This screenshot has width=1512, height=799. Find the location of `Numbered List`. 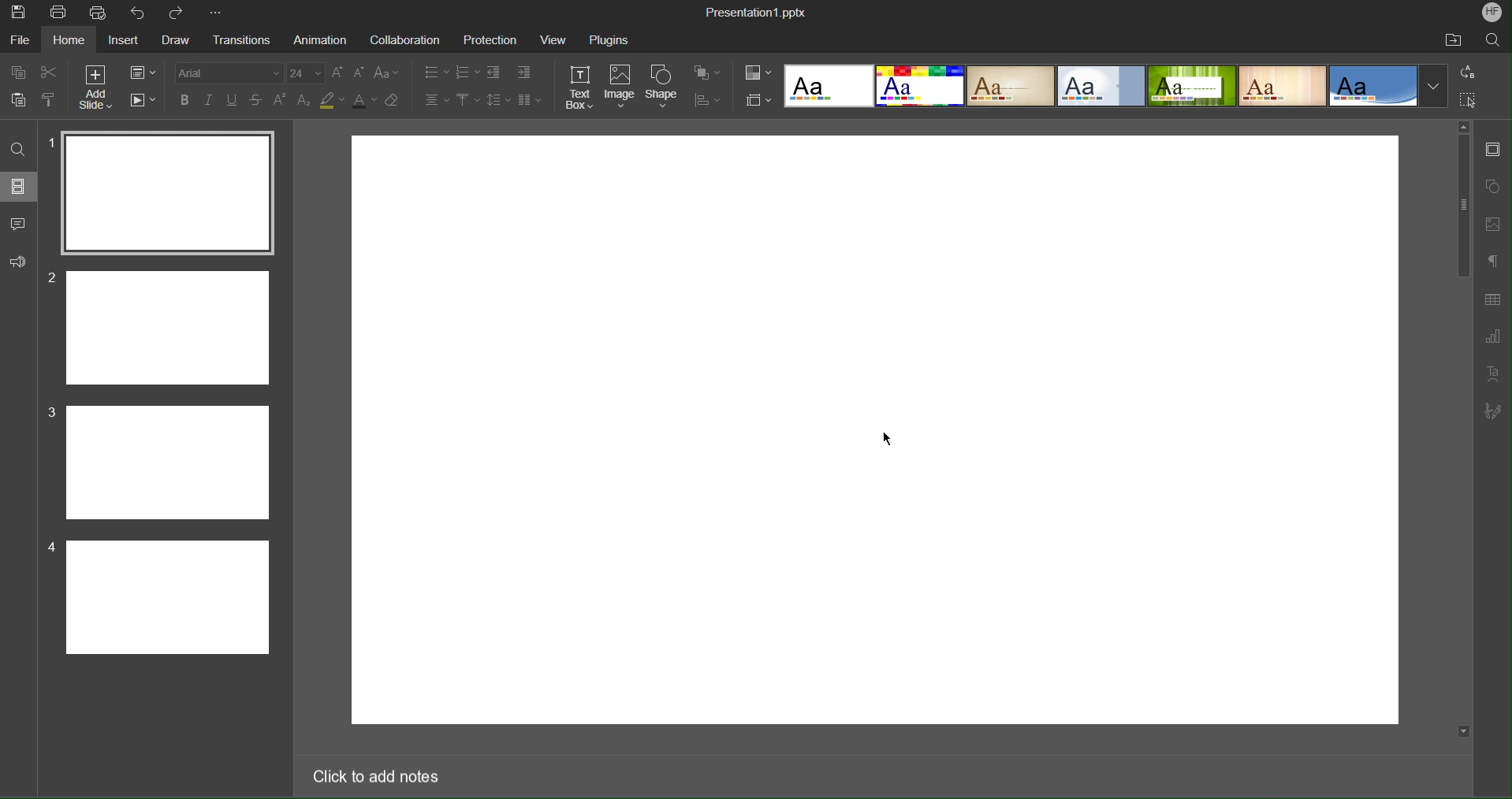

Numbered List is located at coordinates (467, 71).